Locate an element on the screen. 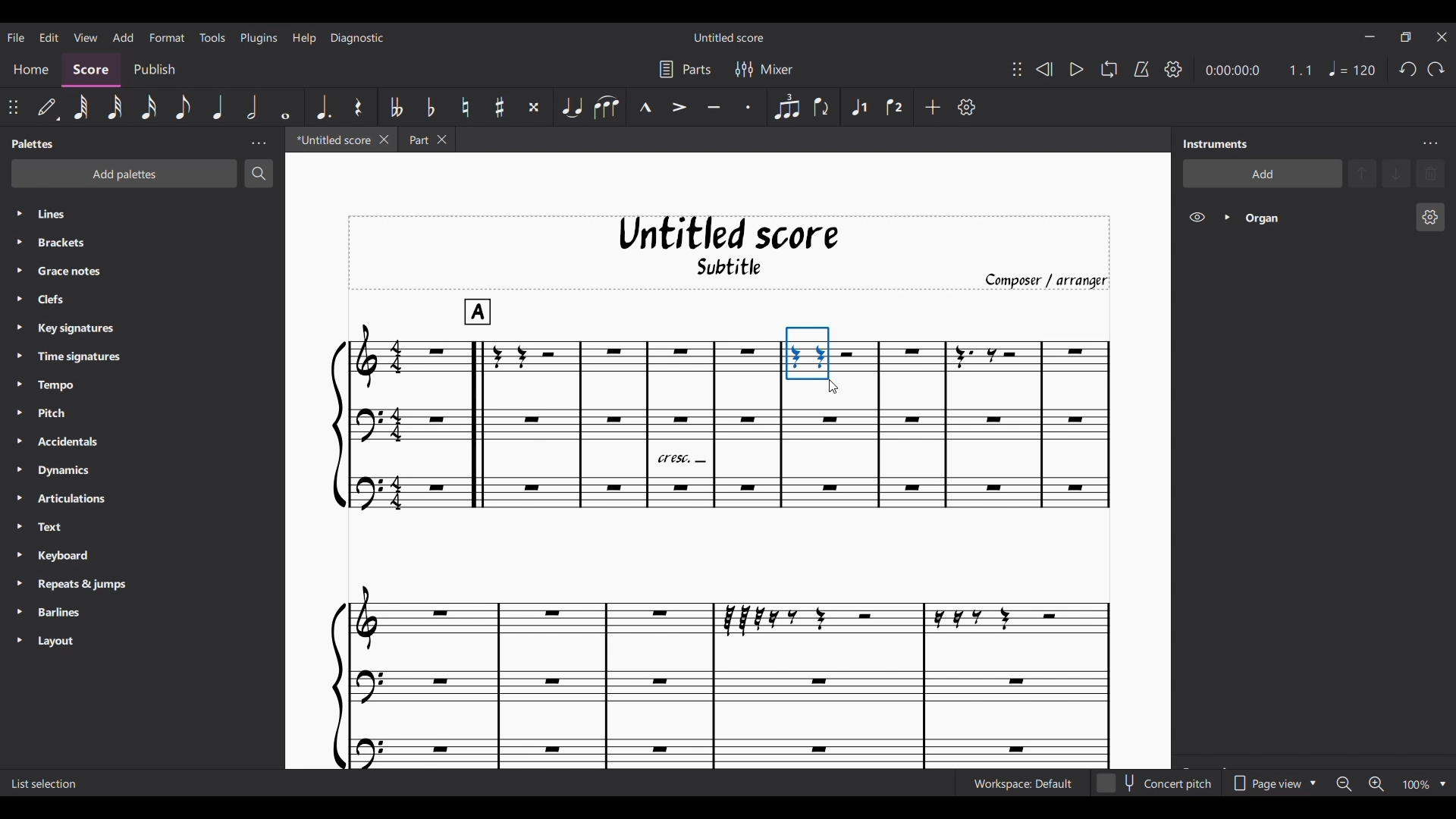 The image size is (1456, 819). Change position of toolbar attached is located at coordinates (1018, 69).